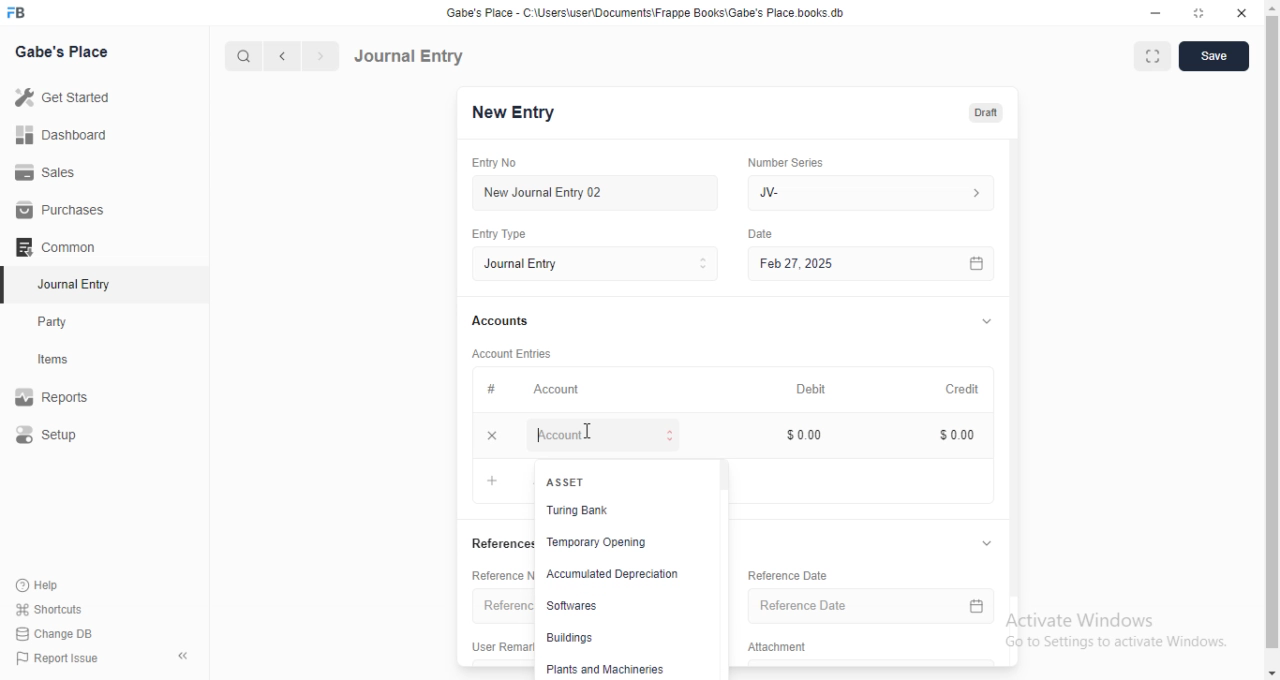  I want to click on Journal Entry, so click(603, 264).